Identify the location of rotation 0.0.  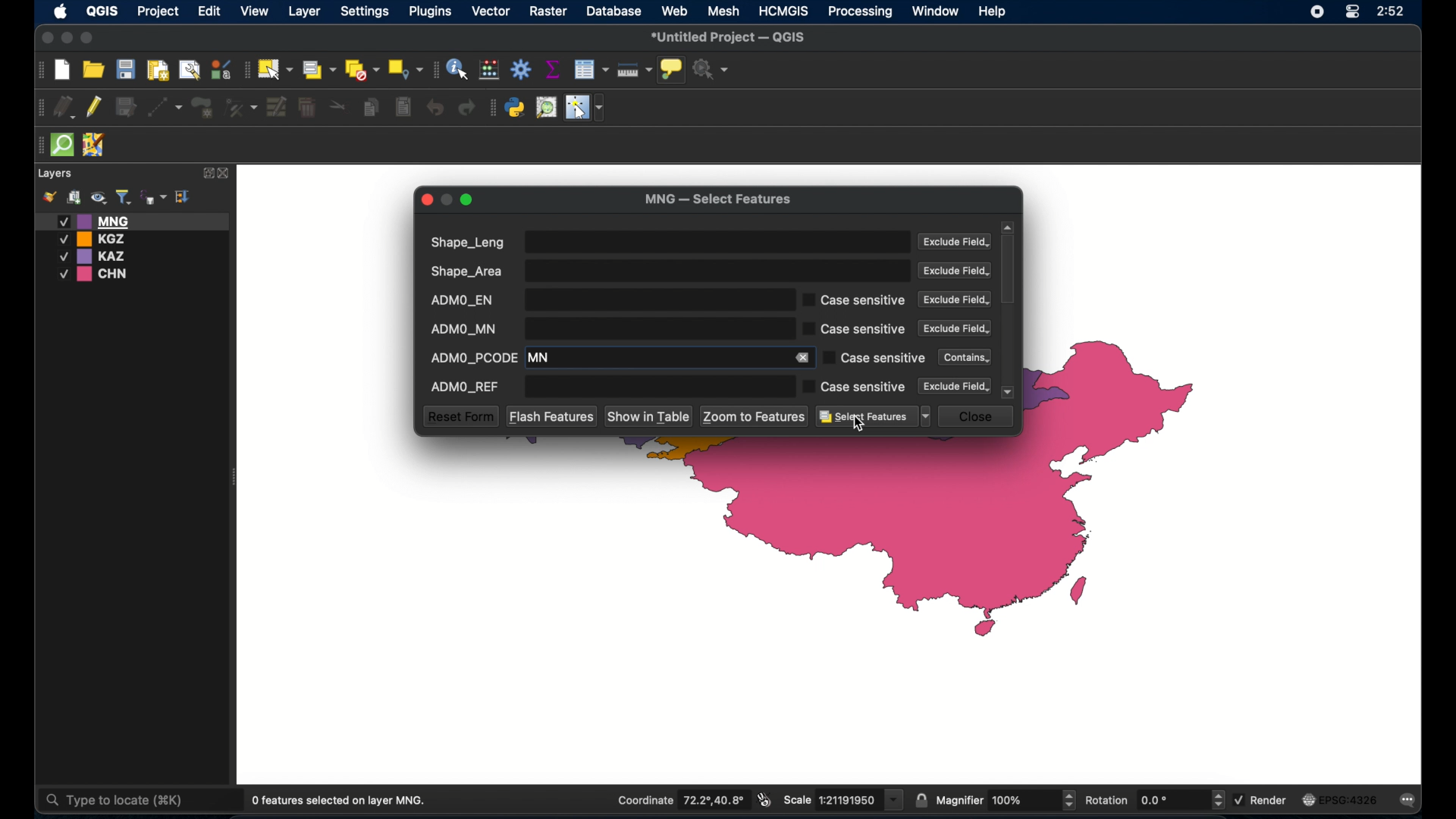
(1156, 799).